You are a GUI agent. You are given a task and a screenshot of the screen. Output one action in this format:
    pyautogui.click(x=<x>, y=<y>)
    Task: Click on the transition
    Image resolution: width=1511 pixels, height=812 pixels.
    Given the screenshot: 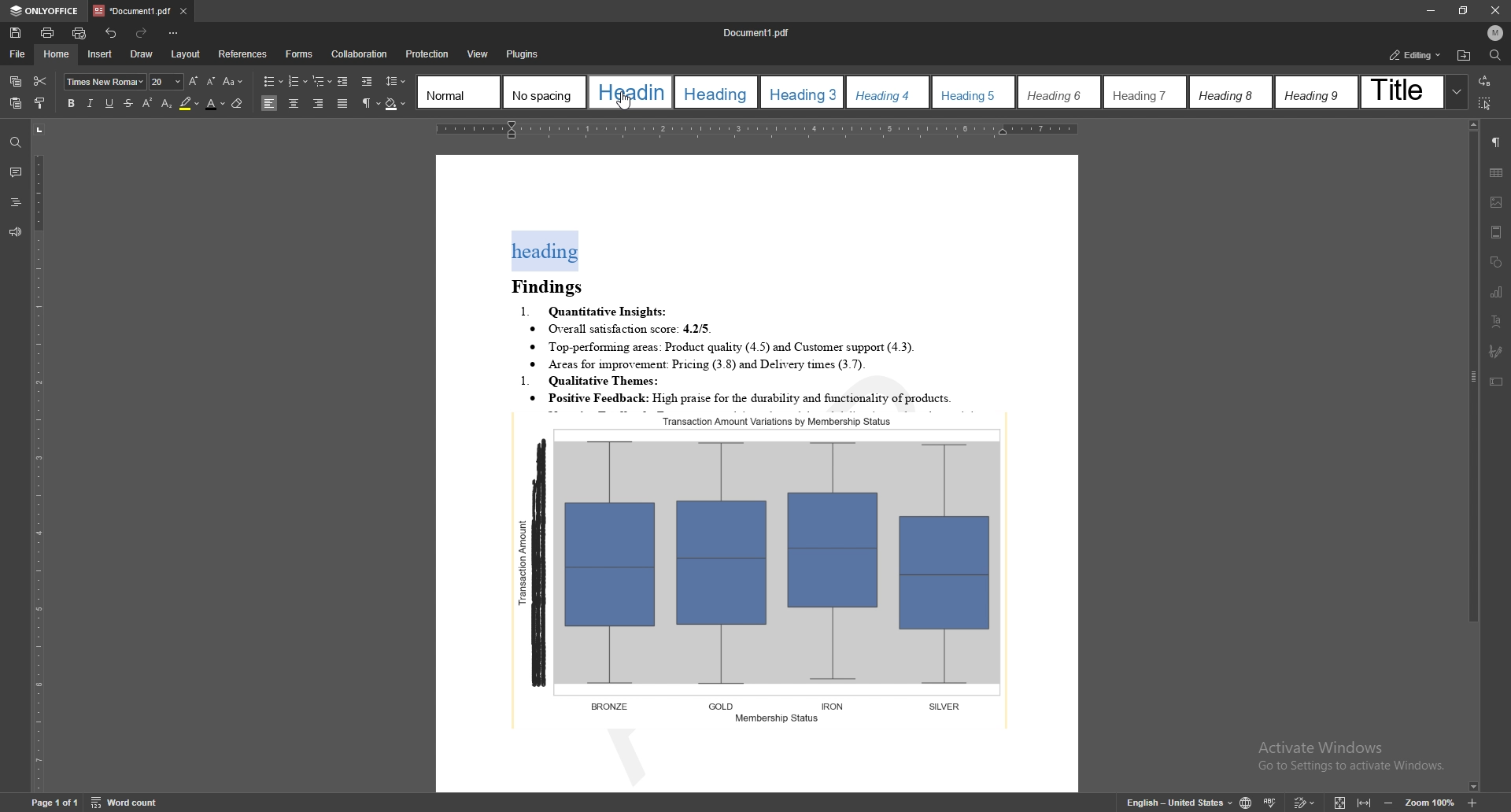 What is the action you would take?
    pyautogui.click(x=1483, y=82)
    